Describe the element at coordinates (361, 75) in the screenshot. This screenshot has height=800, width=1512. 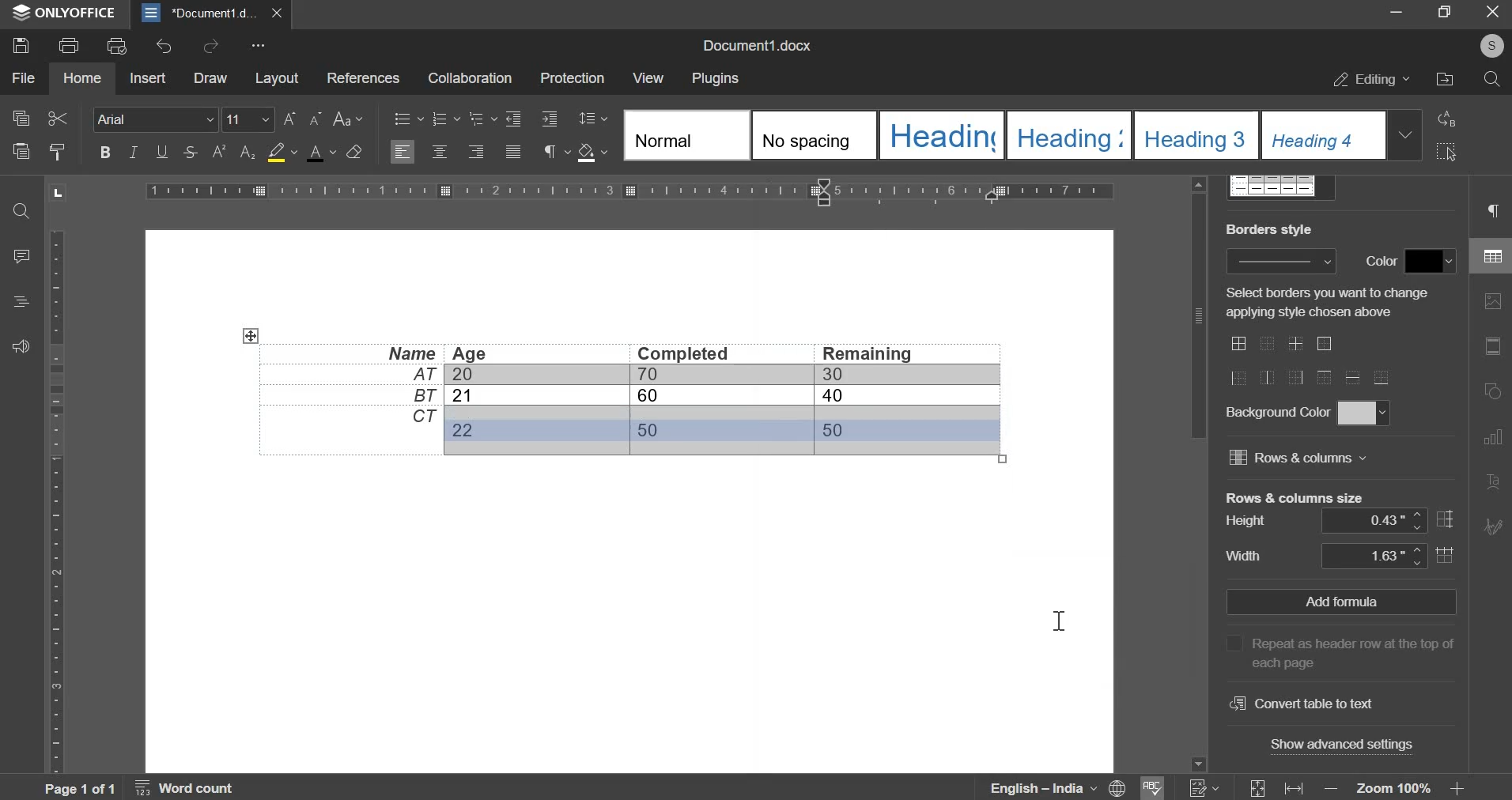
I see `references` at that location.